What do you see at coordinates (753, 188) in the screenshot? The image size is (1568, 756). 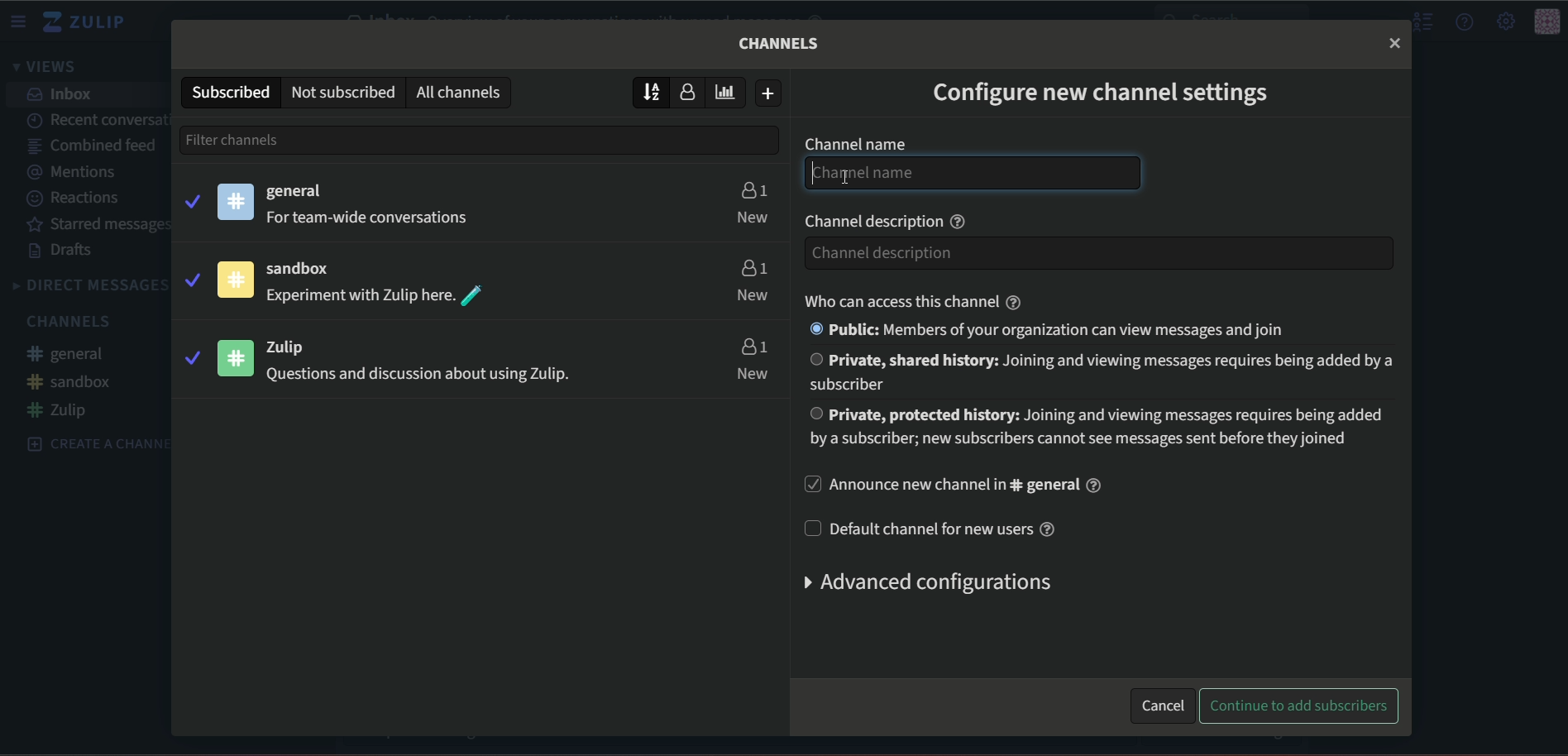 I see `users` at bounding box center [753, 188].